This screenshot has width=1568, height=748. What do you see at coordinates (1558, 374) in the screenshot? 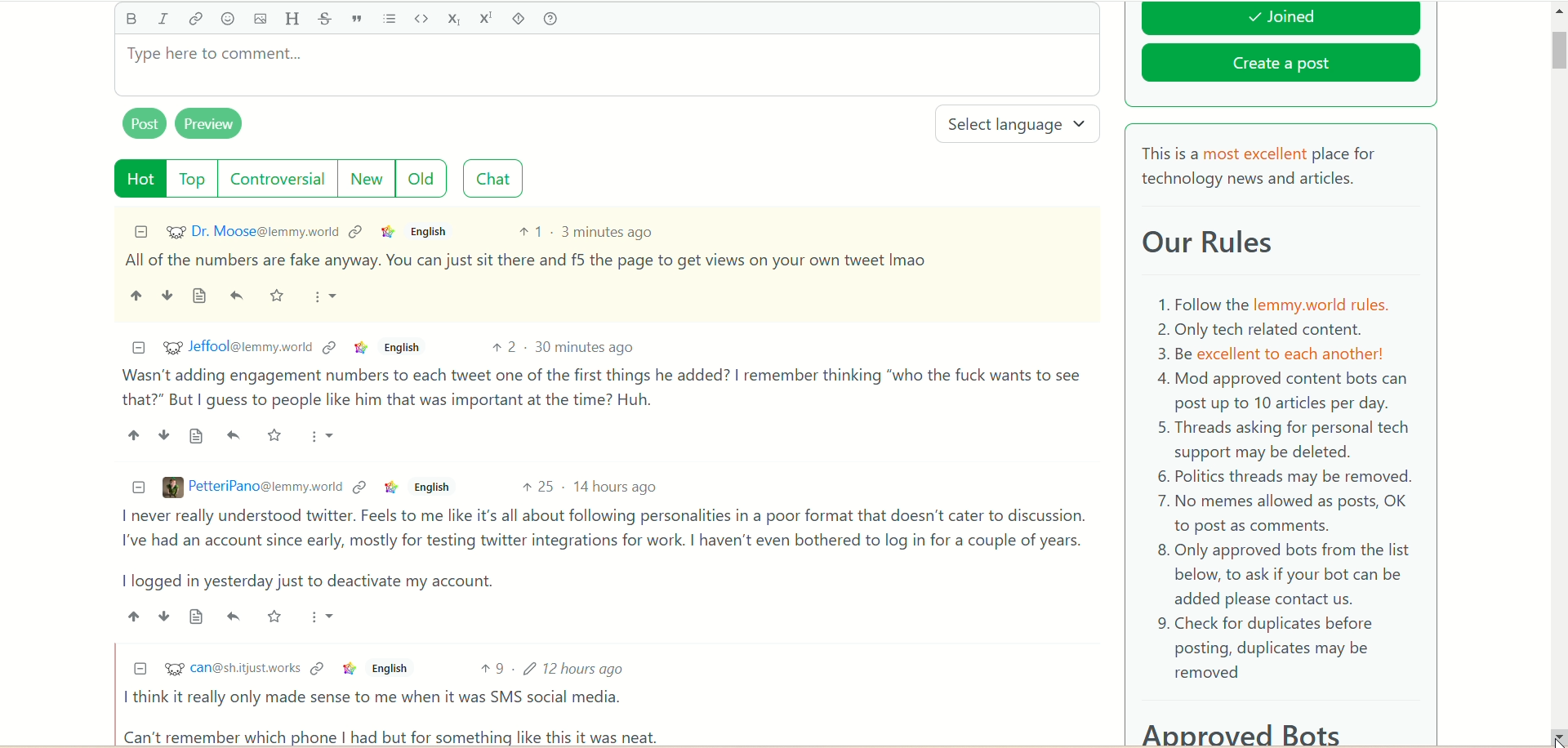
I see `vertical scroll bar` at bounding box center [1558, 374].